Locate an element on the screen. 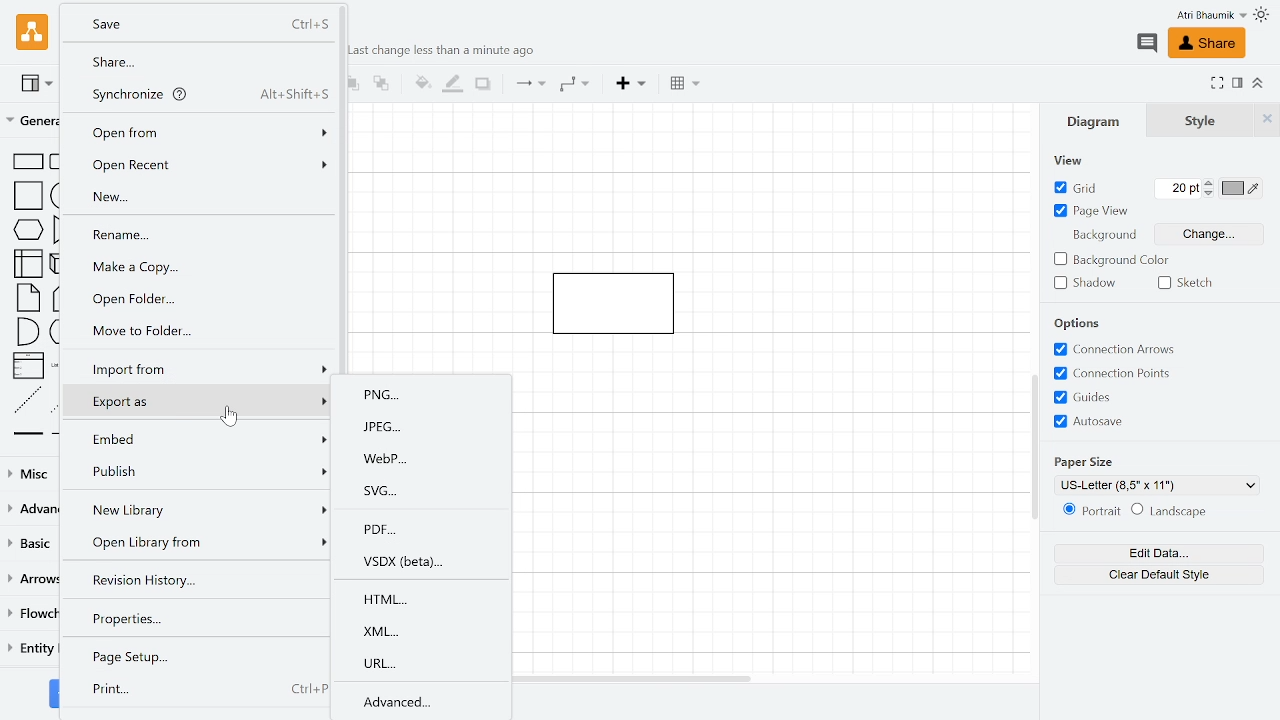  last change is located at coordinates (446, 51).